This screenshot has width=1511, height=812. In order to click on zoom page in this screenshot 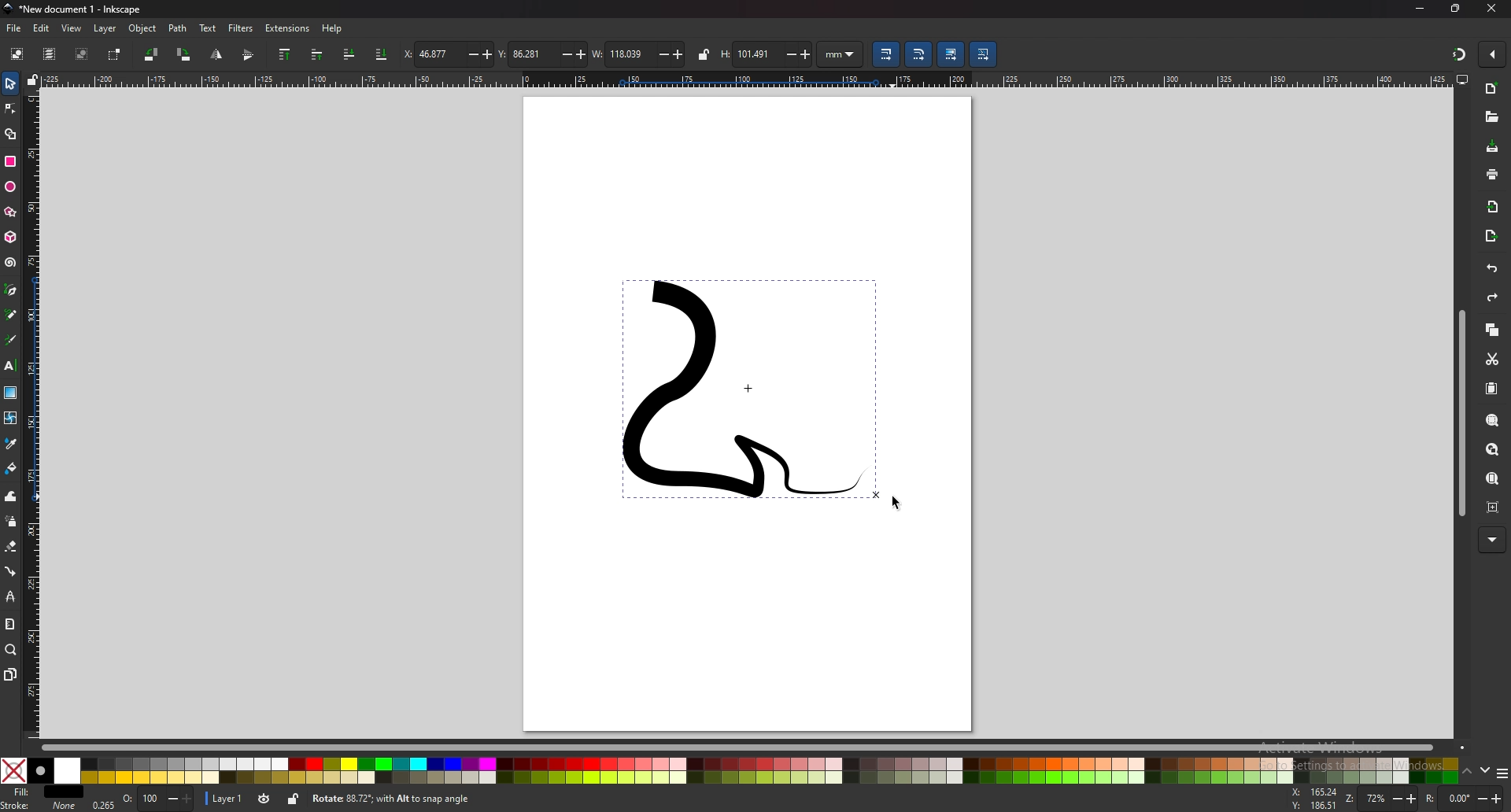, I will do `click(1492, 479)`.